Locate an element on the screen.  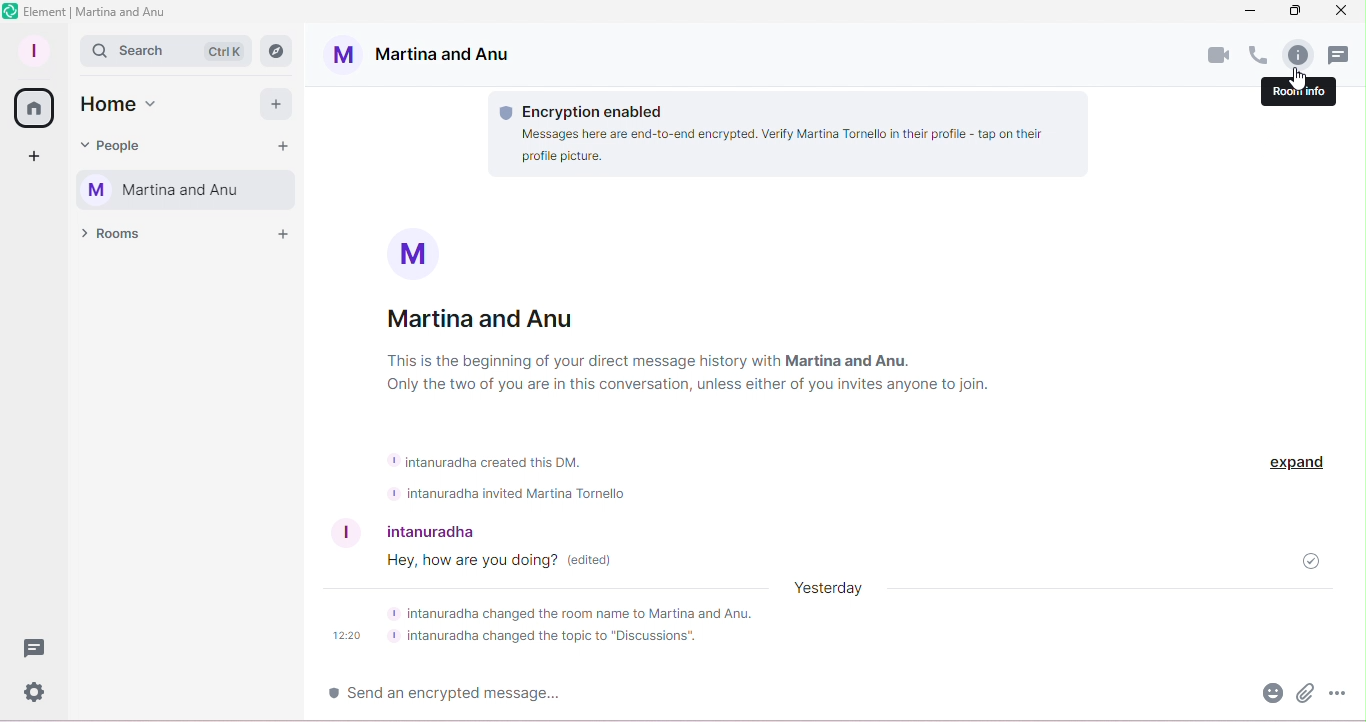
intanuradha changed the topic to "Discussions" is located at coordinates (549, 638).